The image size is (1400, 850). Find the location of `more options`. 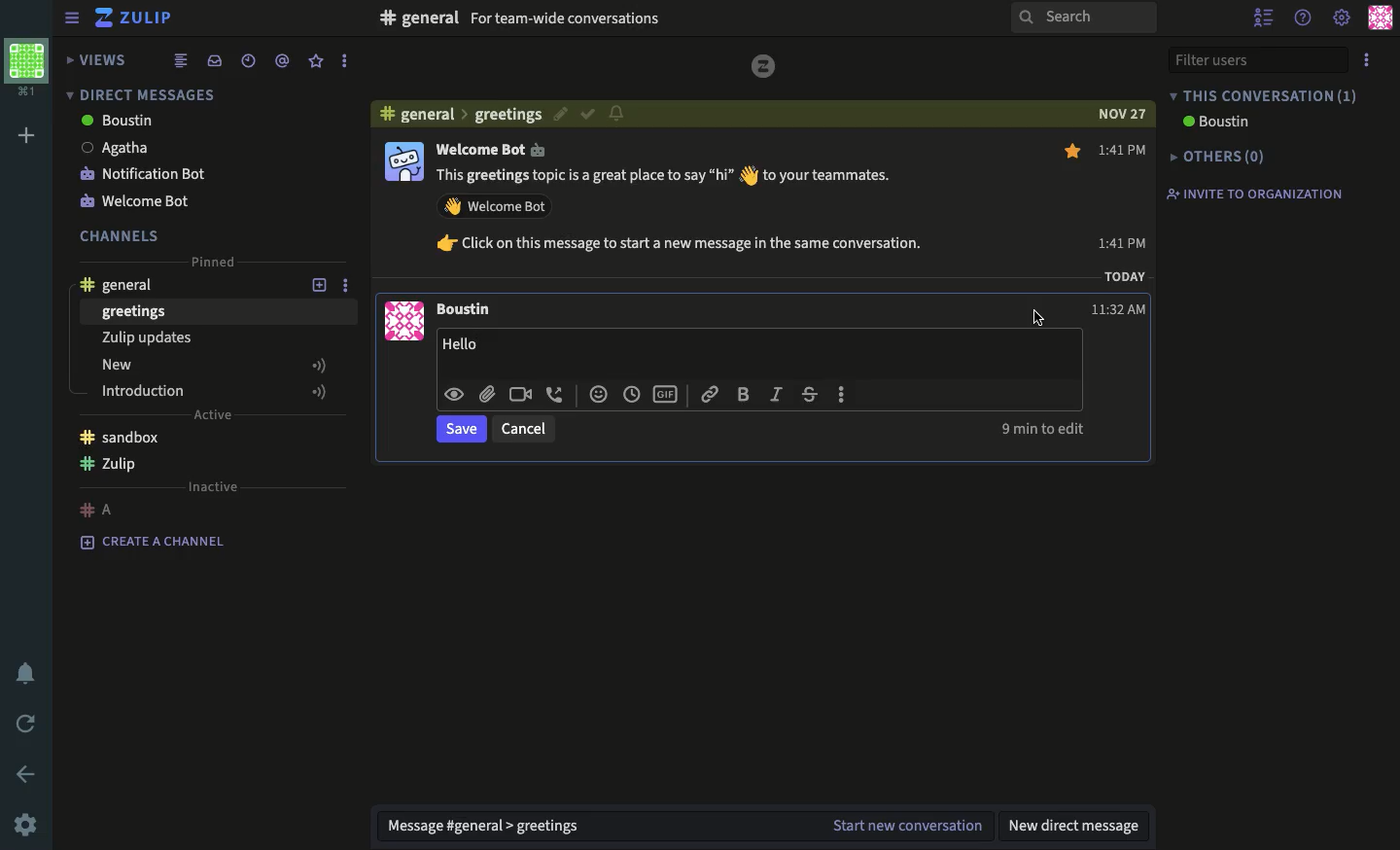

more options is located at coordinates (841, 395).